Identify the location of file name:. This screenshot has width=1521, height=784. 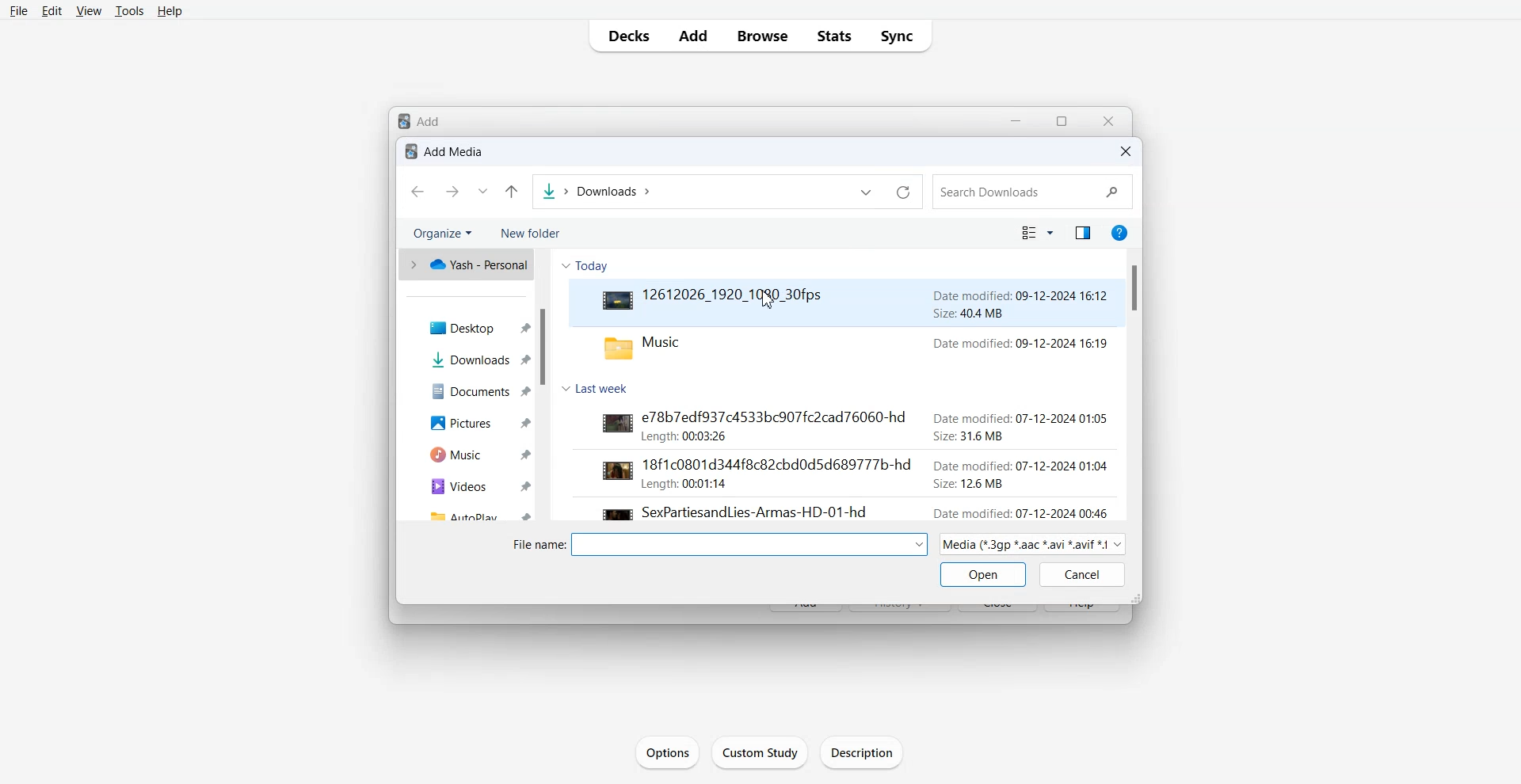
(539, 545).